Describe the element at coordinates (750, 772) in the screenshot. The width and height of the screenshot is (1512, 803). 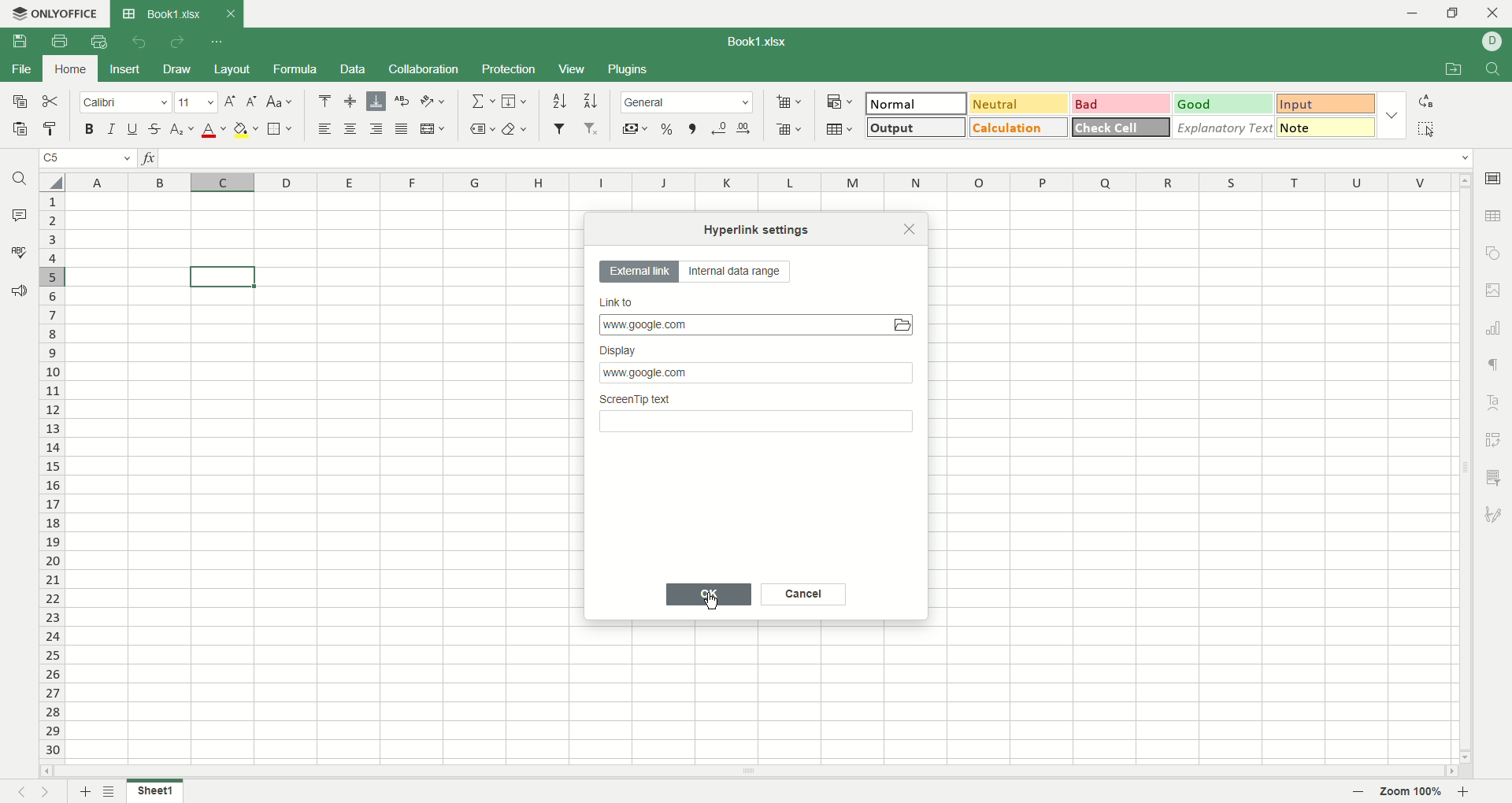
I see `horizontal scroll bar` at that location.